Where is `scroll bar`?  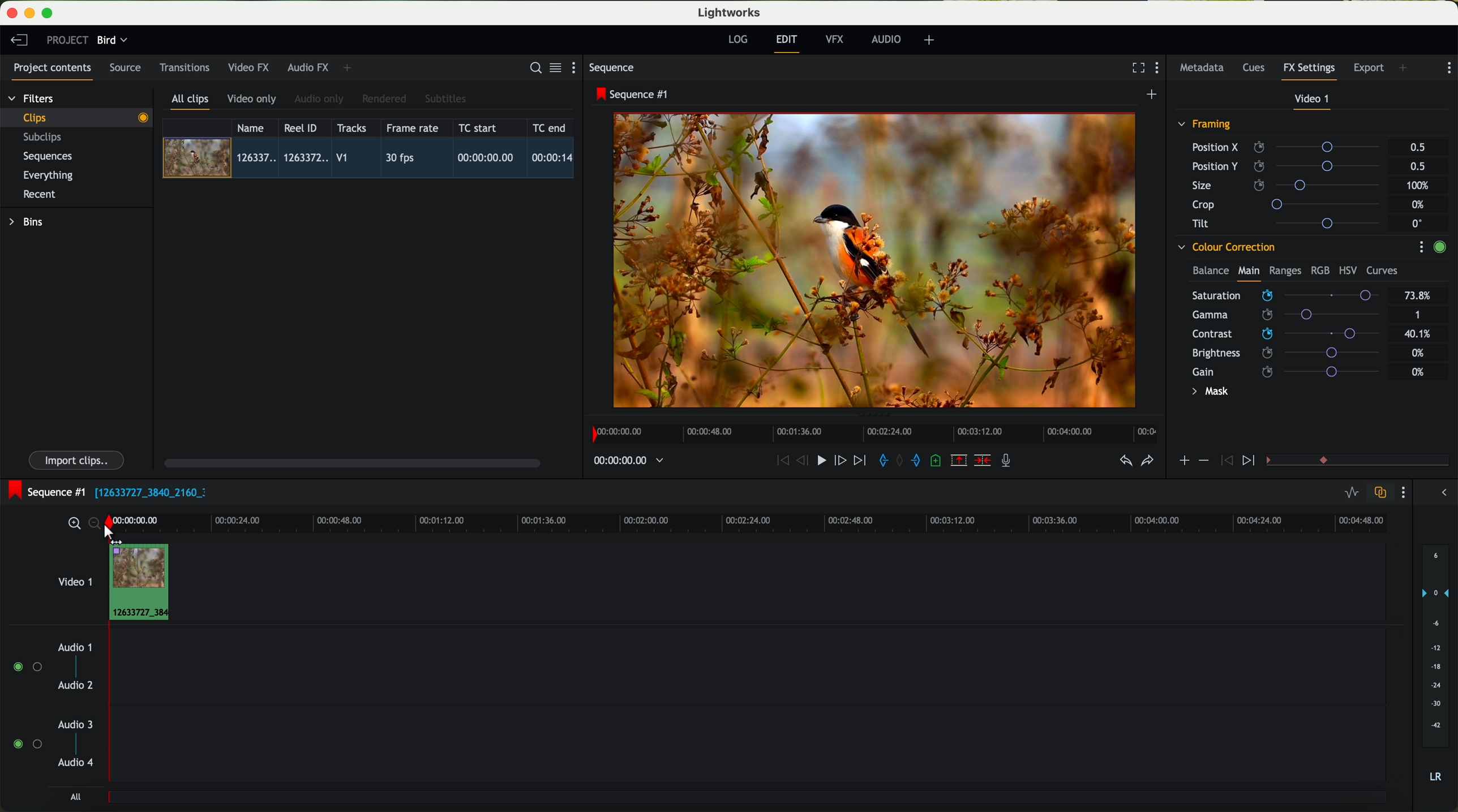 scroll bar is located at coordinates (351, 462).